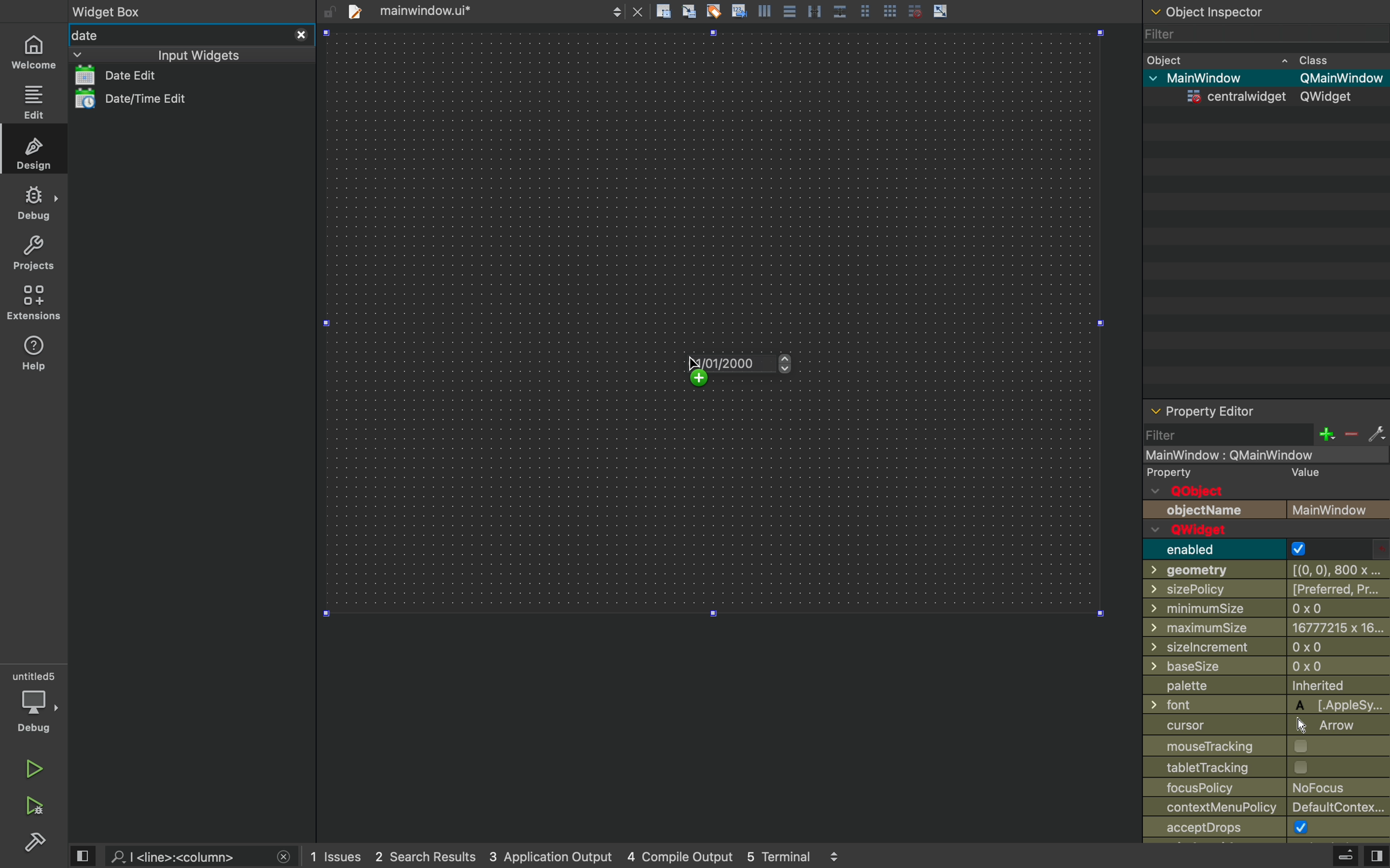 The width and height of the screenshot is (1390, 868). What do you see at coordinates (1376, 854) in the screenshot?
I see `view` at bounding box center [1376, 854].